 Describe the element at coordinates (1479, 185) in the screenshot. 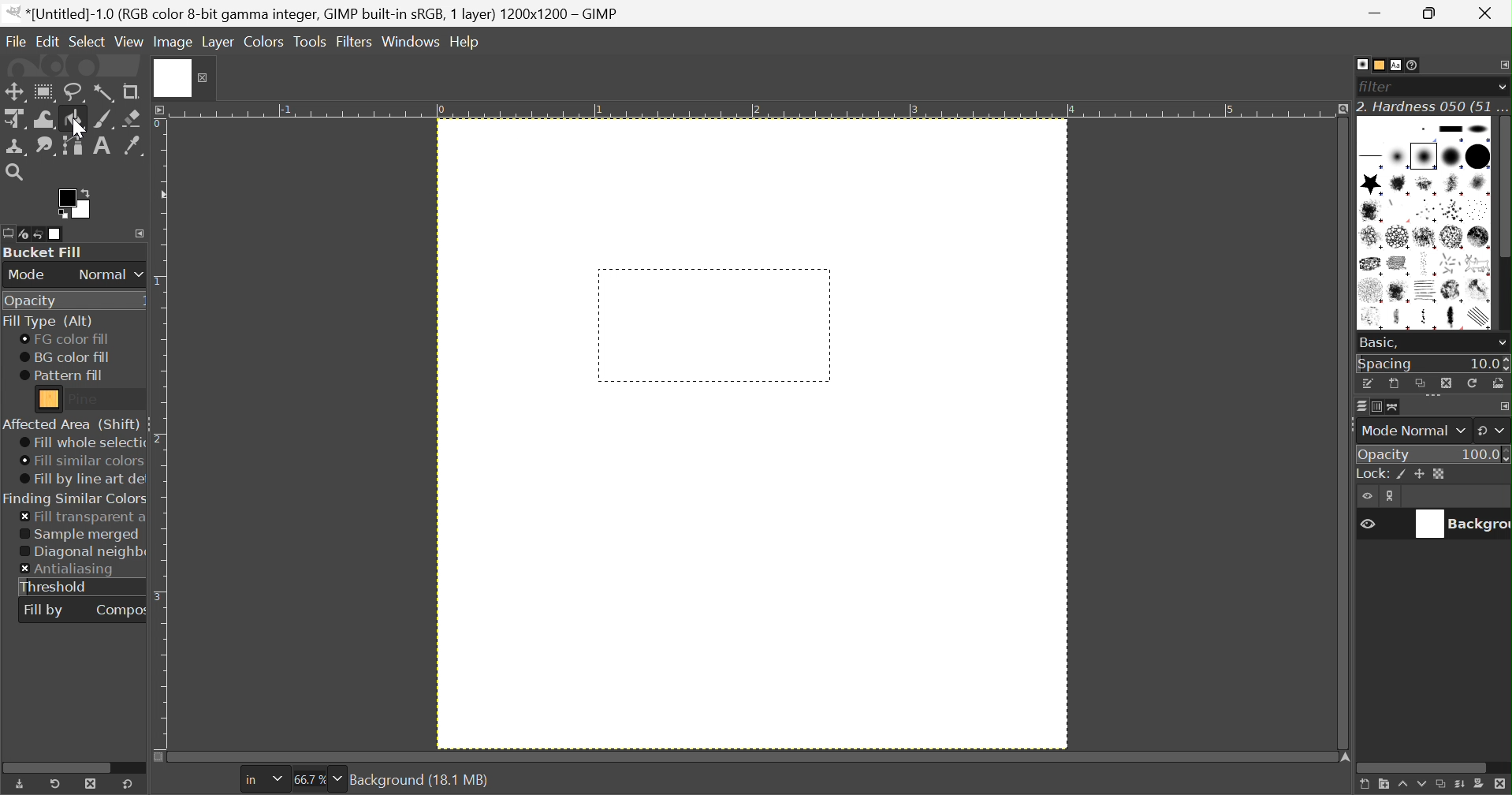

I see `Acrylic 04` at that location.